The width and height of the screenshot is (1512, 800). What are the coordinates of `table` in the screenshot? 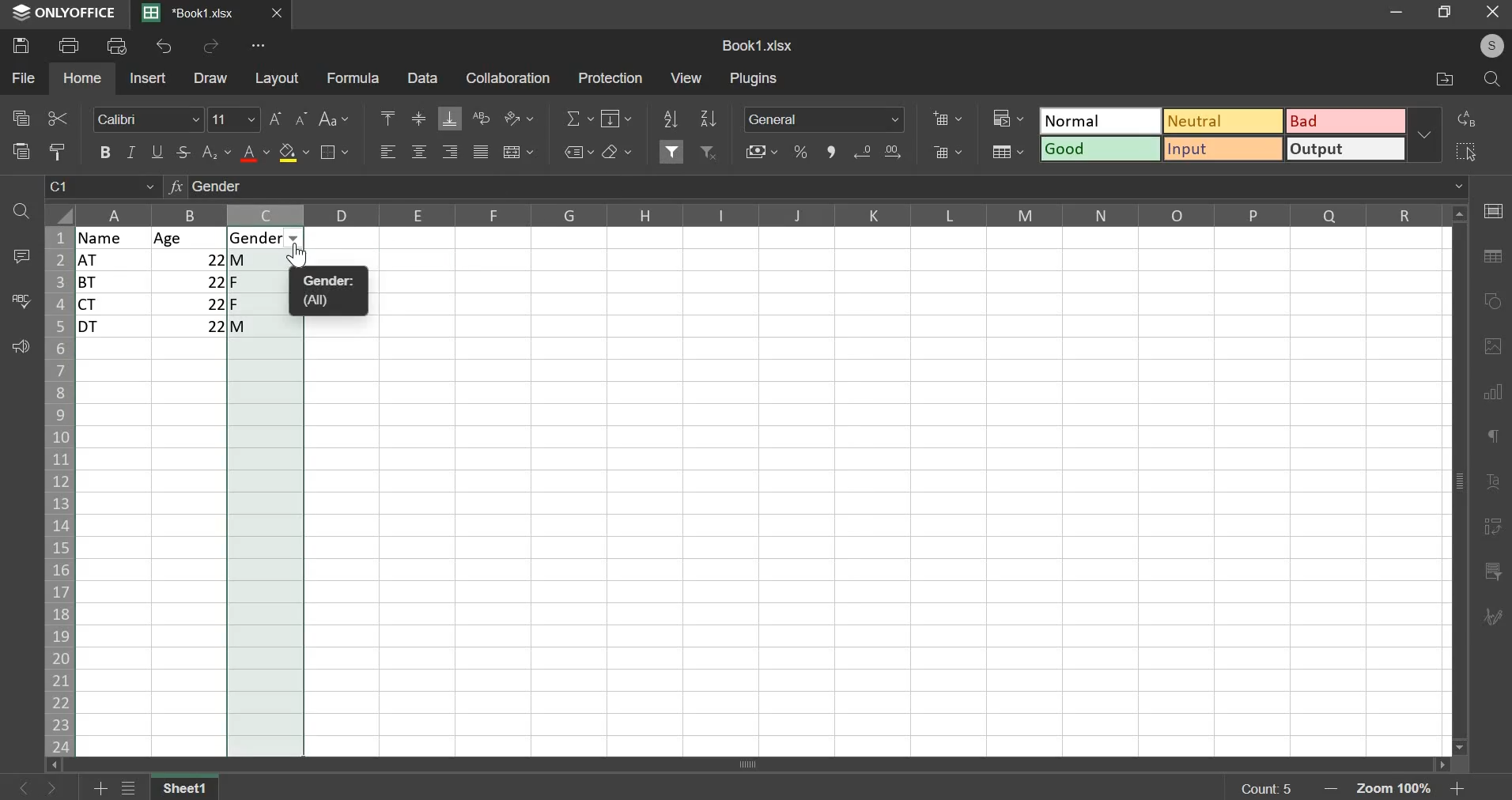 It's located at (1491, 258).